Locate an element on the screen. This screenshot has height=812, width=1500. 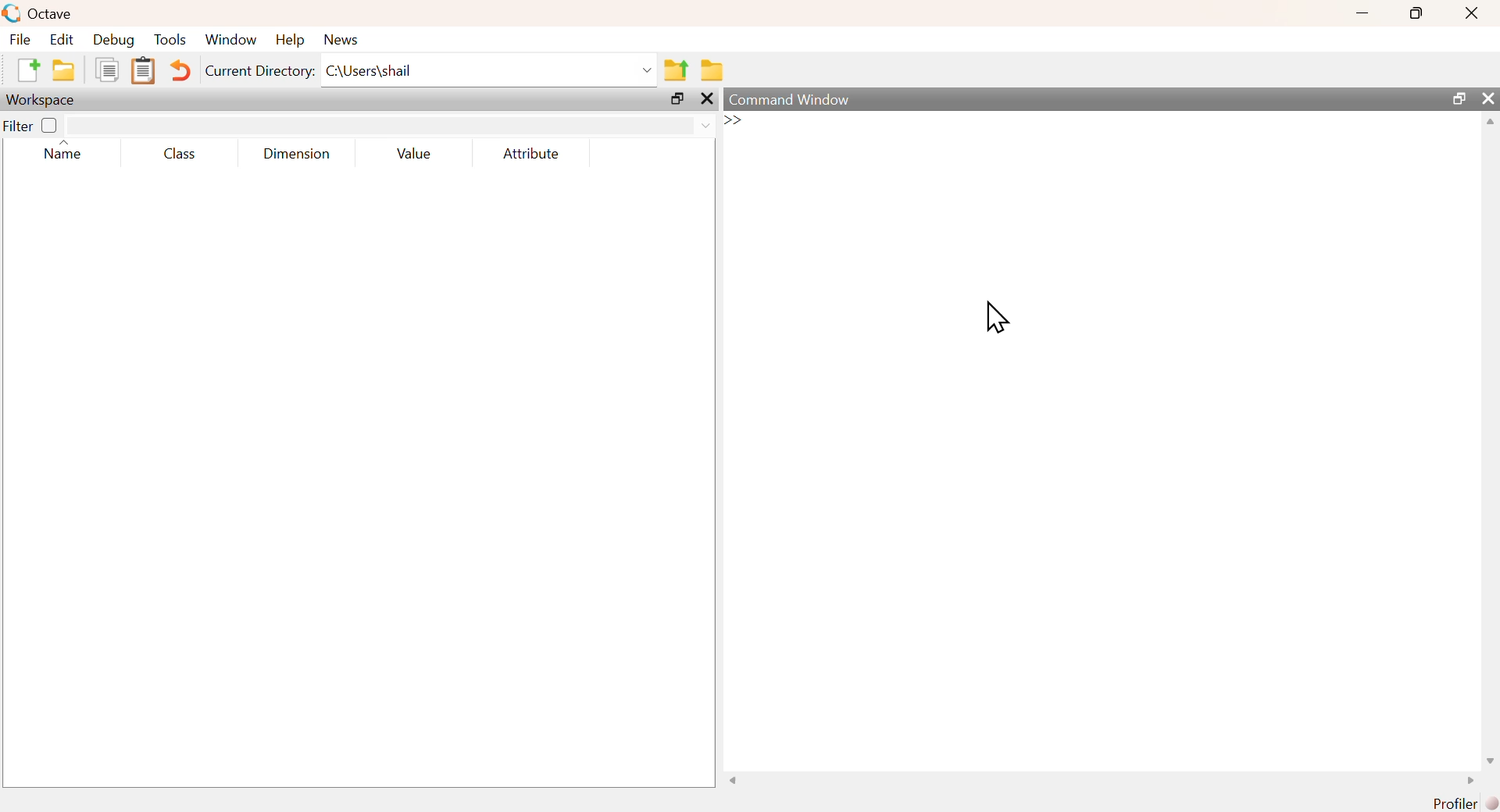
Edit is located at coordinates (61, 40).